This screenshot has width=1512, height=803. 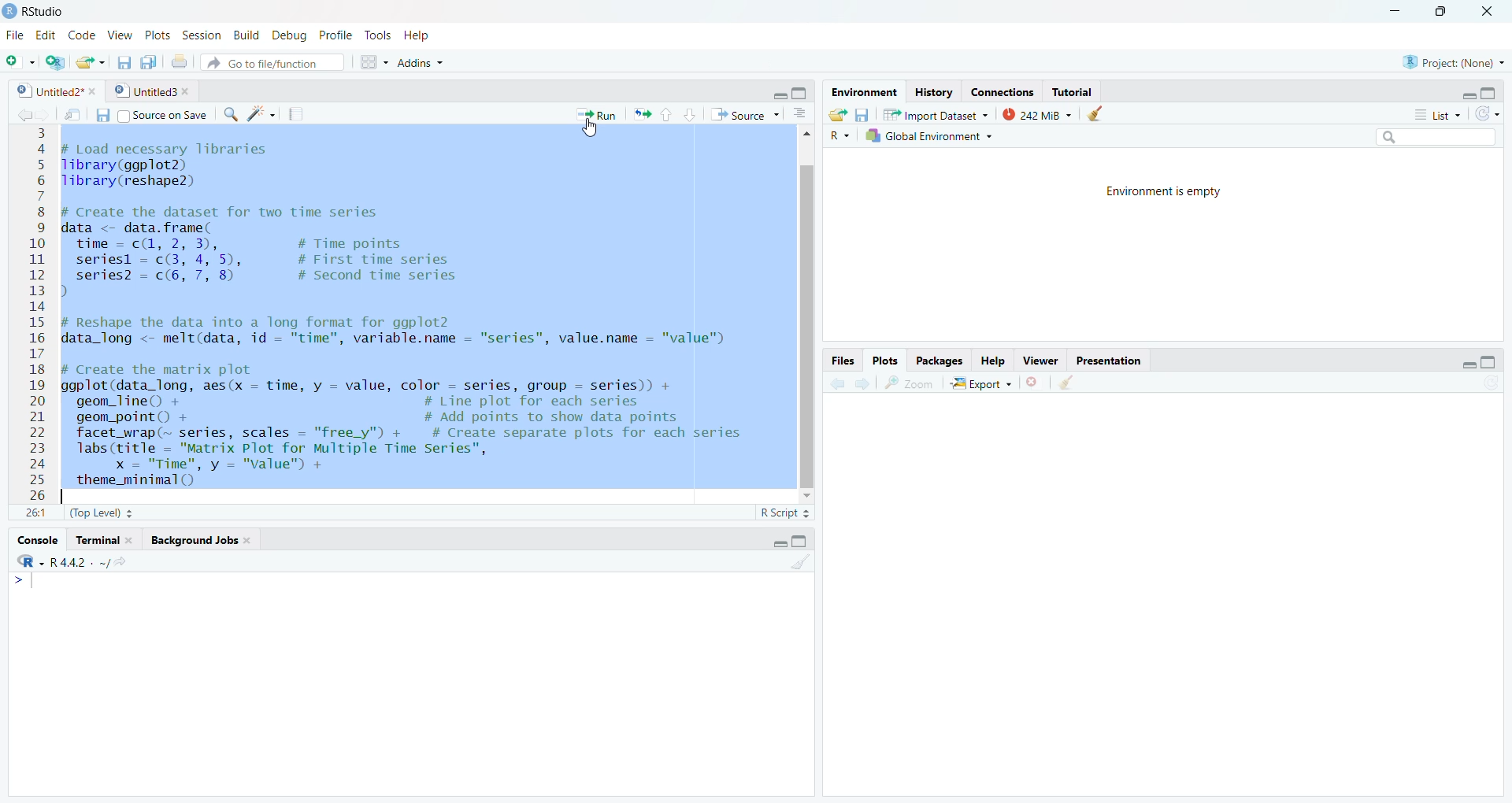 What do you see at coordinates (295, 114) in the screenshot?
I see `compile report` at bounding box center [295, 114].